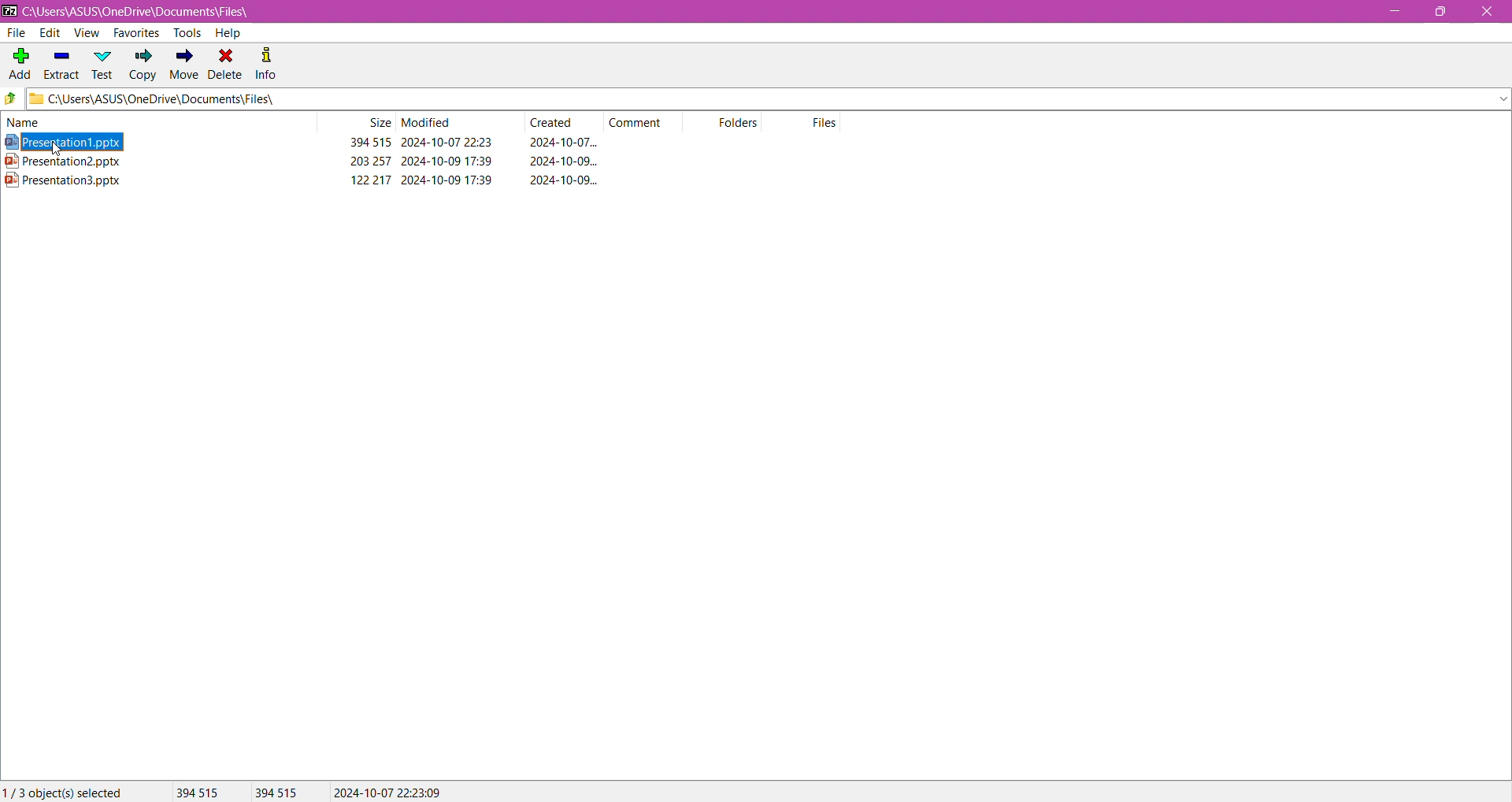 The height and width of the screenshot is (802, 1512). I want to click on C\Users\ASUS\OneDrive\Documents\Files\, so click(180, 100).